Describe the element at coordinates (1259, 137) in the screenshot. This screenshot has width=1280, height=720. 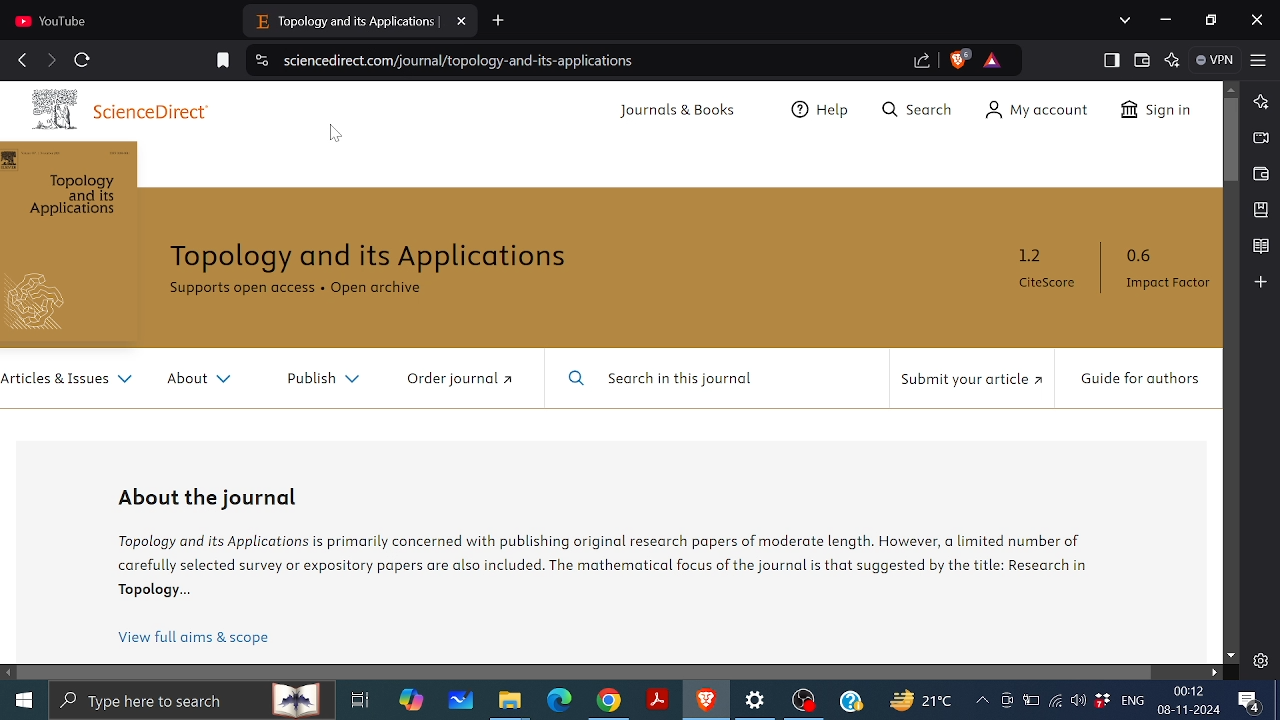
I see `Brave talk` at that location.